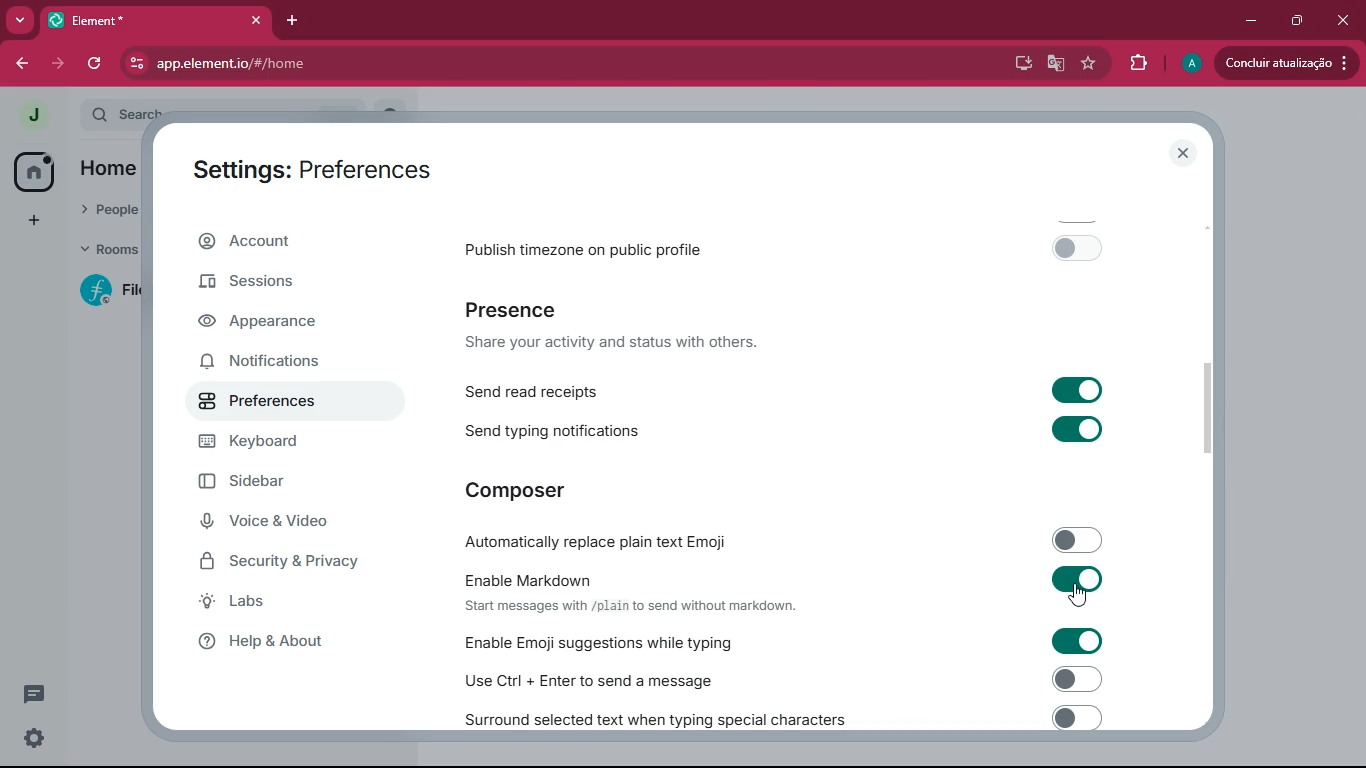 This screenshot has width=1366, height=768. I want to click on forward, so click(55, 64).